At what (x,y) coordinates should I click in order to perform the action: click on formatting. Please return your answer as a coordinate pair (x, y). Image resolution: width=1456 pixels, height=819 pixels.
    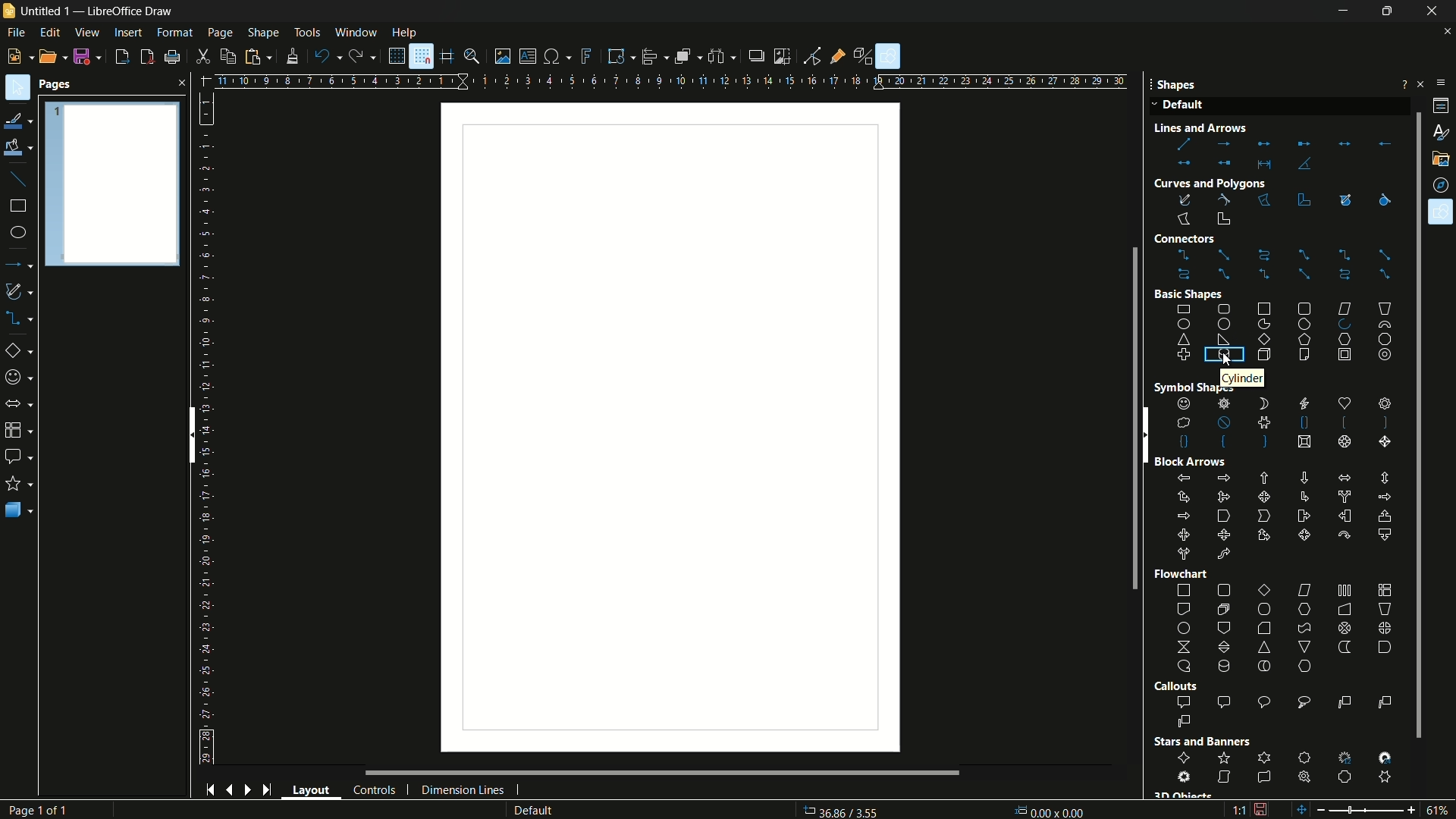
    Looking at the image, I should click on (294, 56).